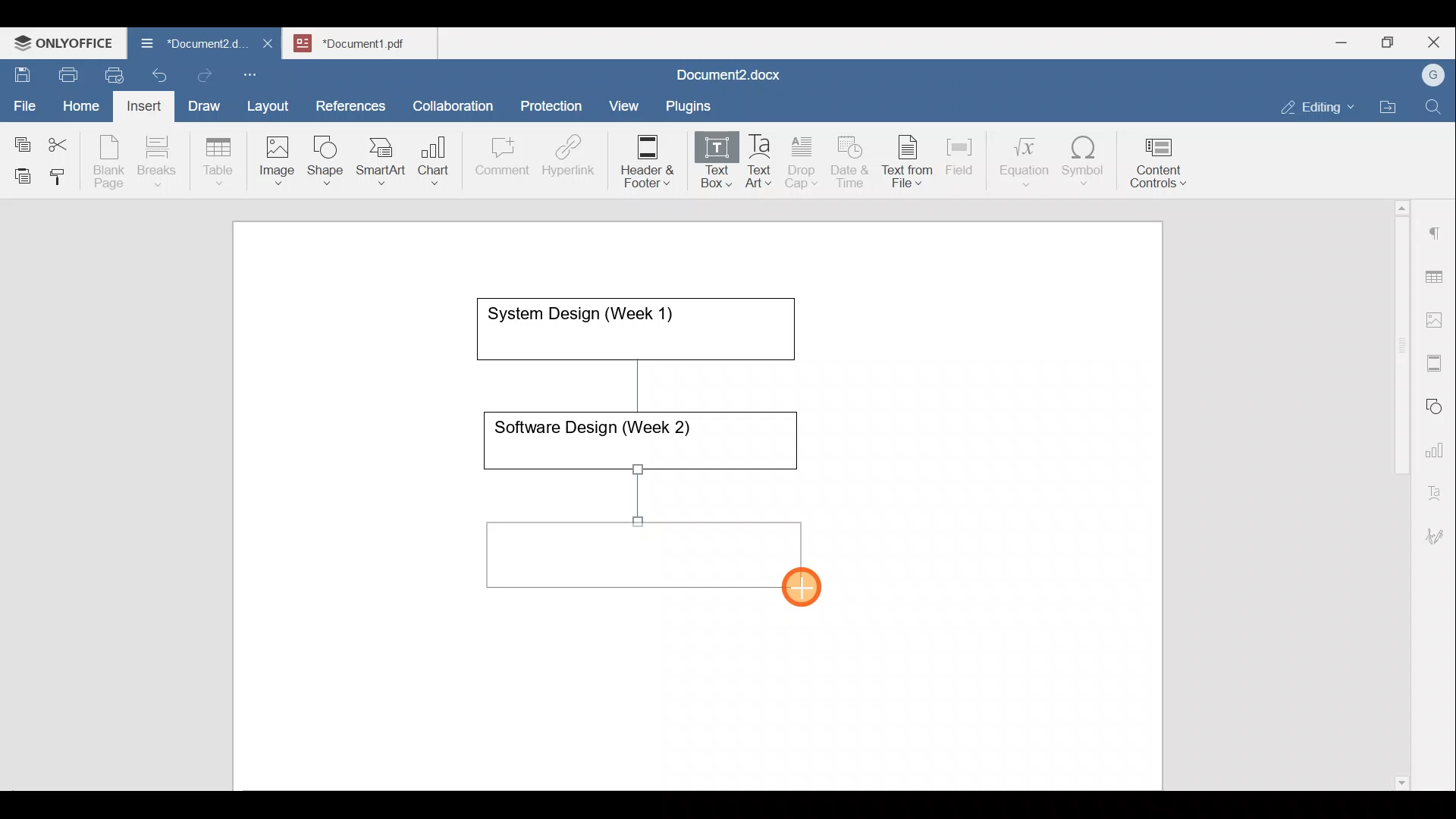 This screenshot has width=1456, height=819. What do you see at coordinates (21, 71) in the screenshot?
I see `Save` at bounding box center [21, 71].